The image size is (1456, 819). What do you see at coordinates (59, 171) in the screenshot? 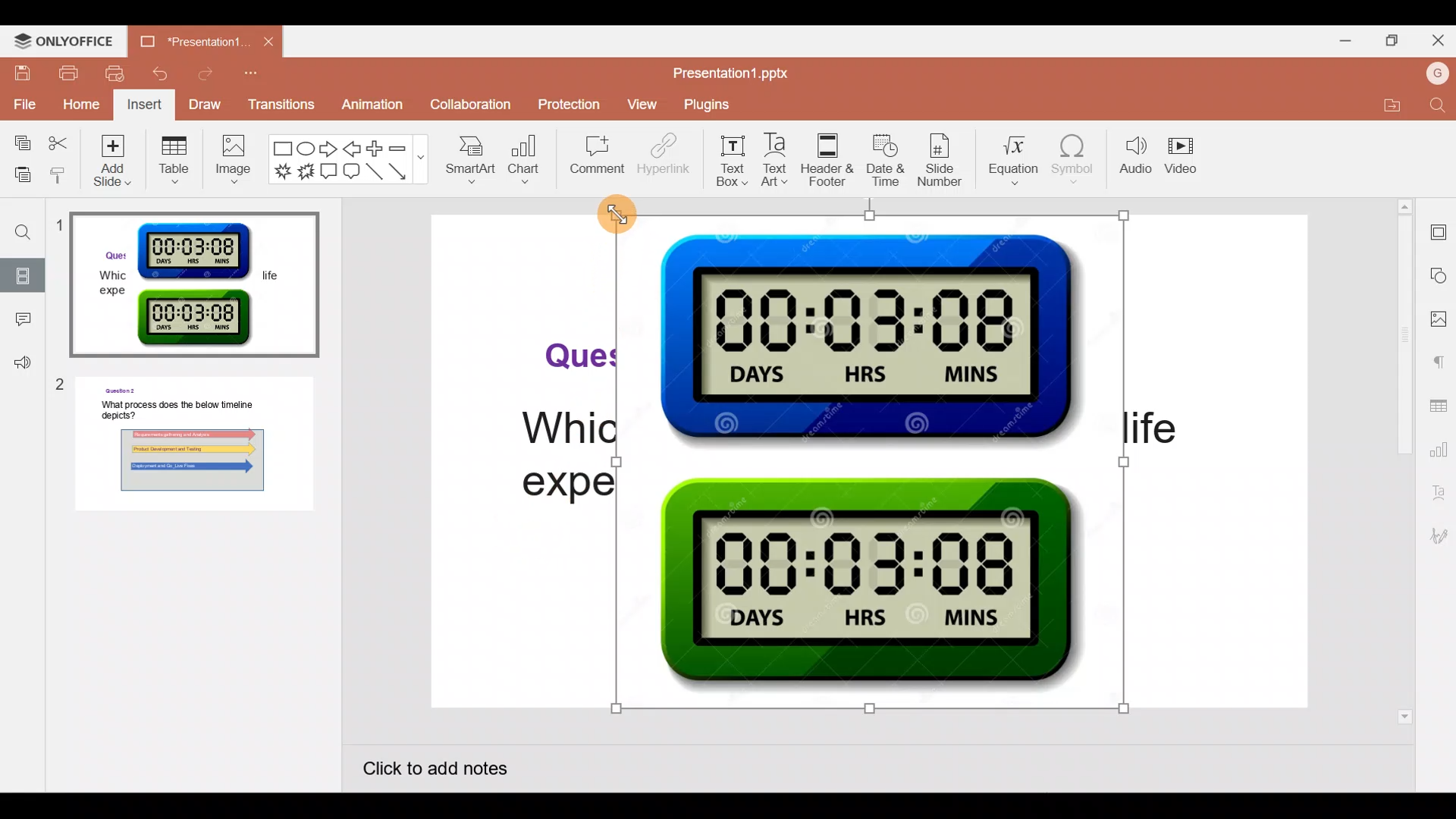
I see `Copy style` at bounding box center [59, 171].